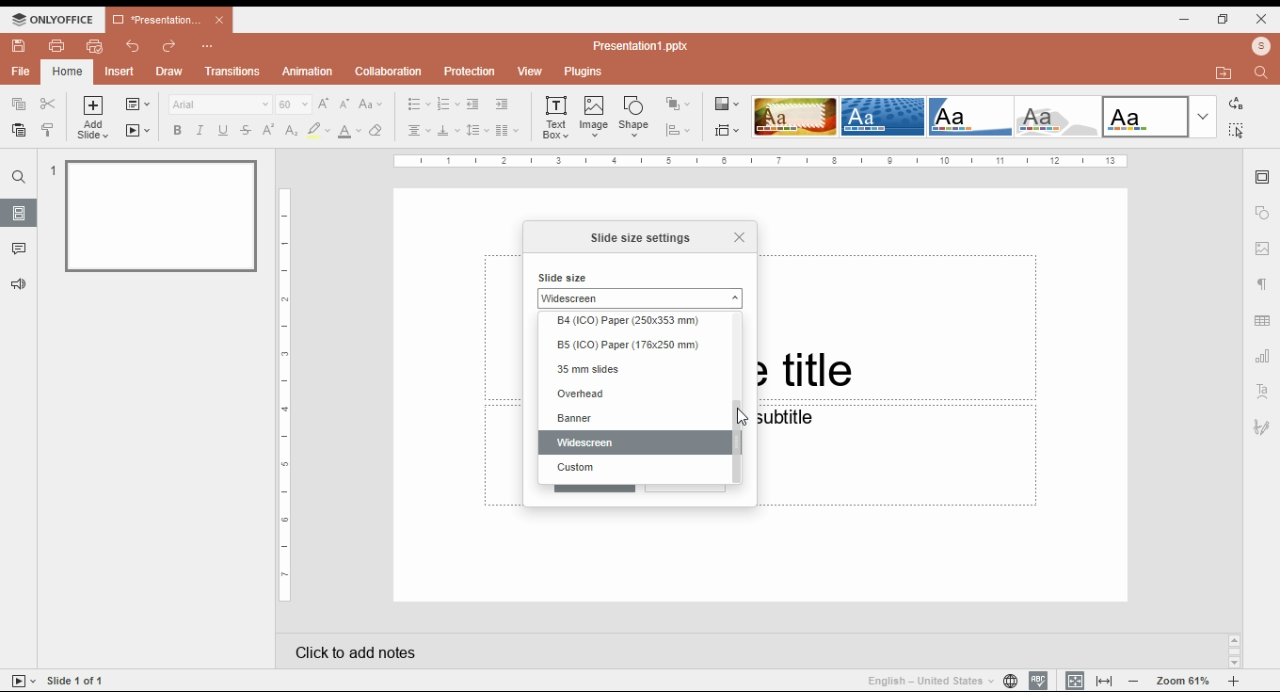  Describe the element at coordinates (631, 322) in the screenshot. I see `B4 (ICO) Paper (250x353 mm)` at that location.